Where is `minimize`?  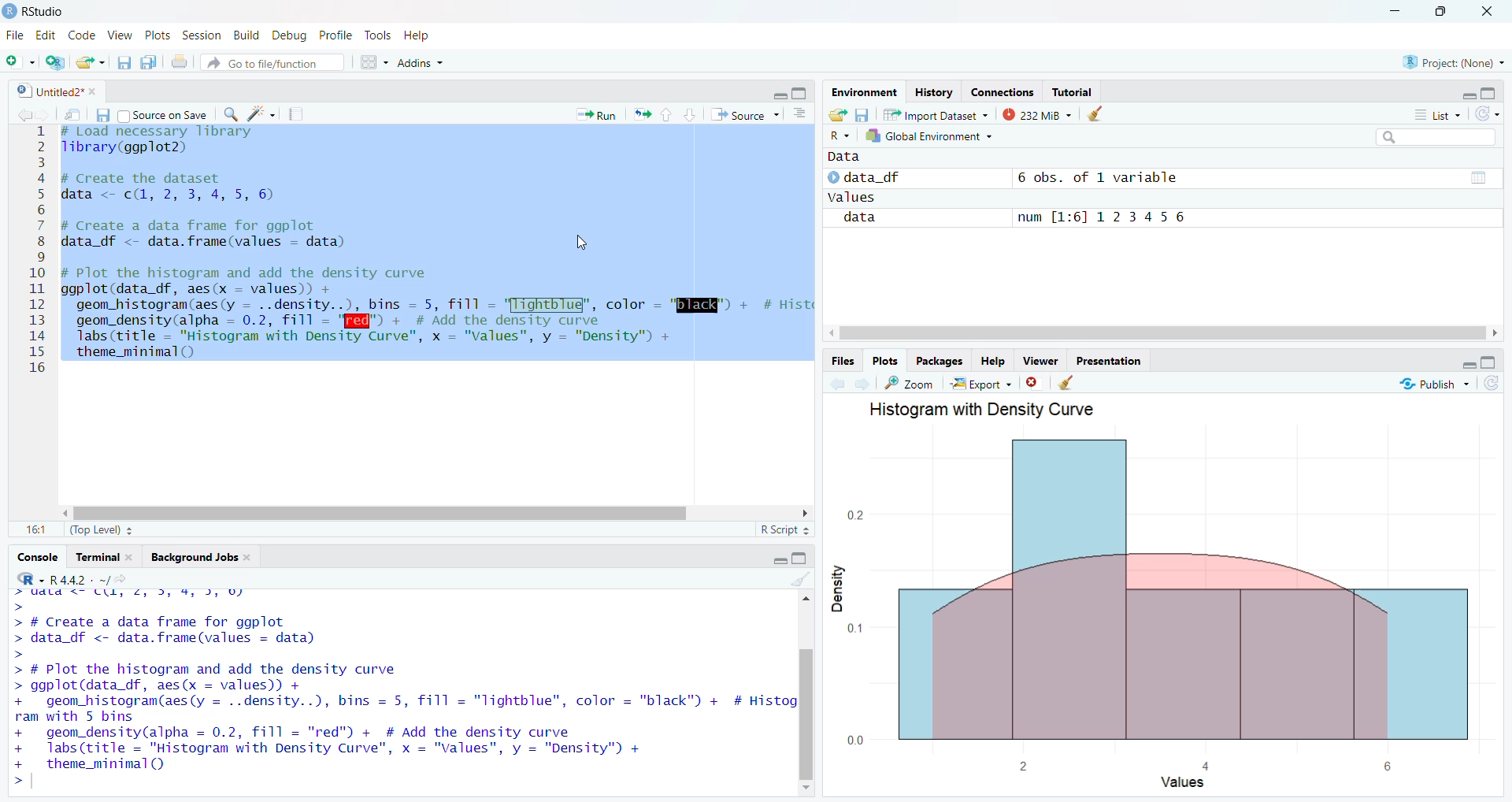
minimize is located at coordinates (780, 561).